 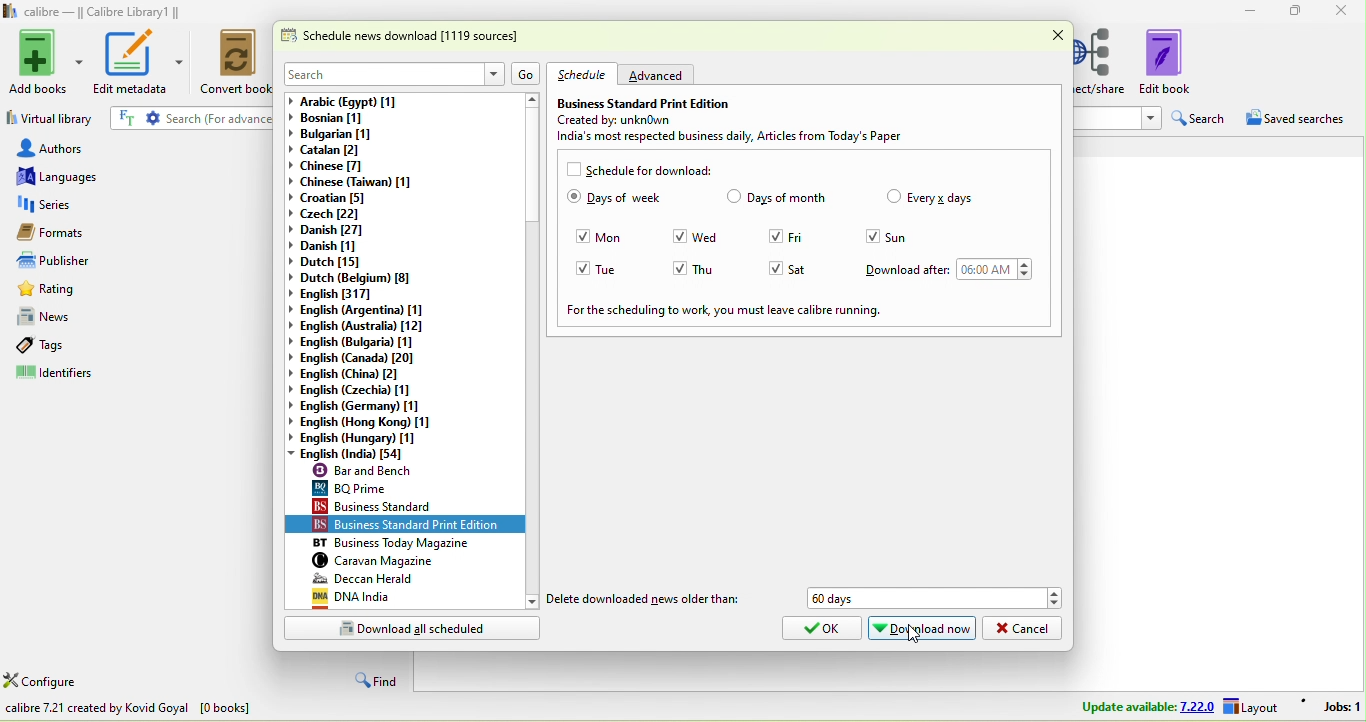 What do you see at coordinates (661, 75) in the screenshot?
I see `advanced` at bounding box center [661, 75].